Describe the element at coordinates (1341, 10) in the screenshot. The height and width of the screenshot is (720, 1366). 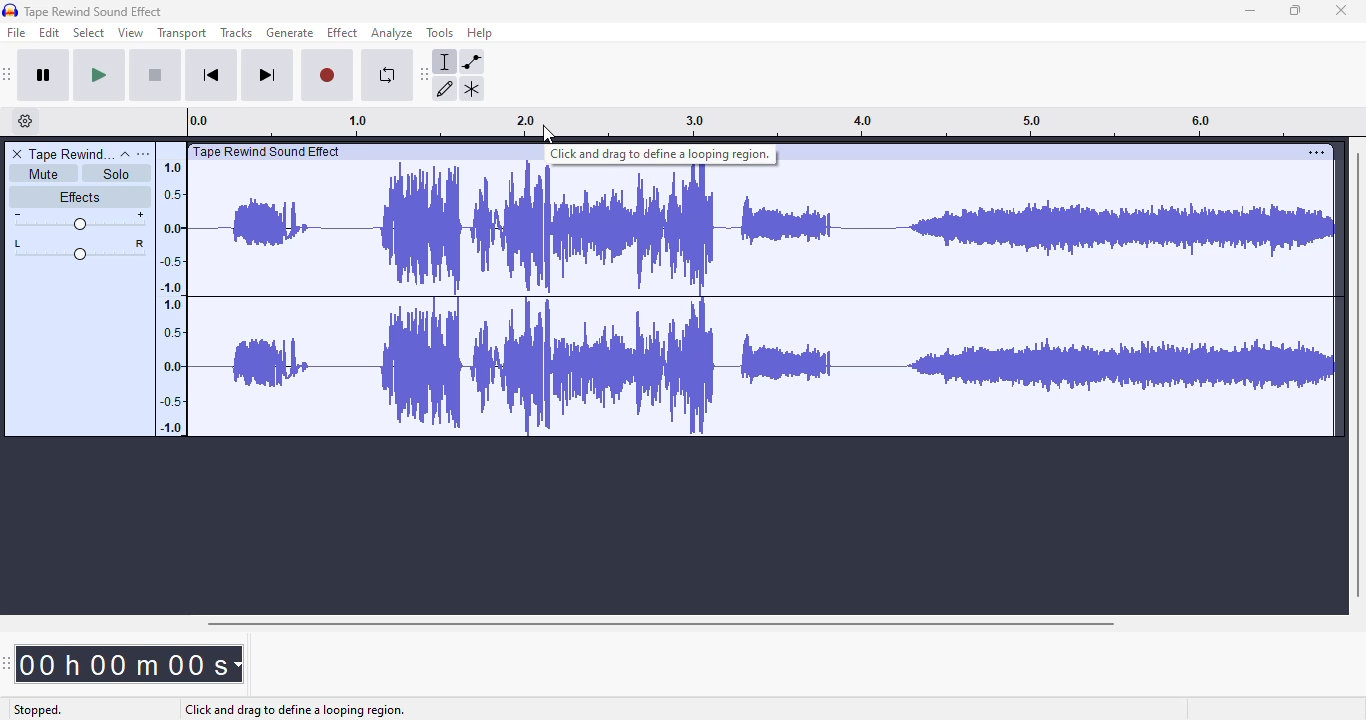
I see `close` at that location.